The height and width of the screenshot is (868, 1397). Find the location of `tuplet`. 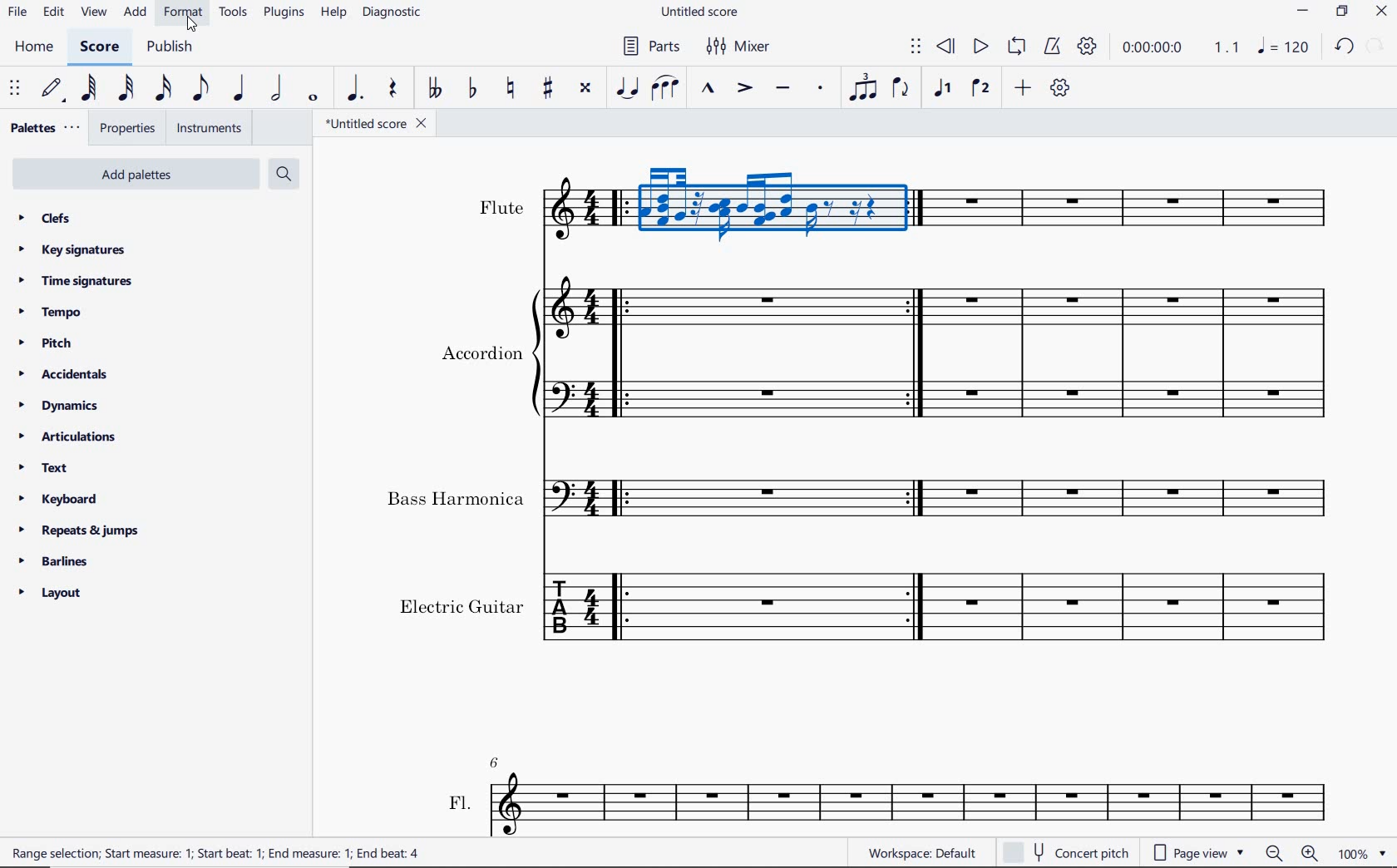

tuplet is located at coordinates (861, 87).